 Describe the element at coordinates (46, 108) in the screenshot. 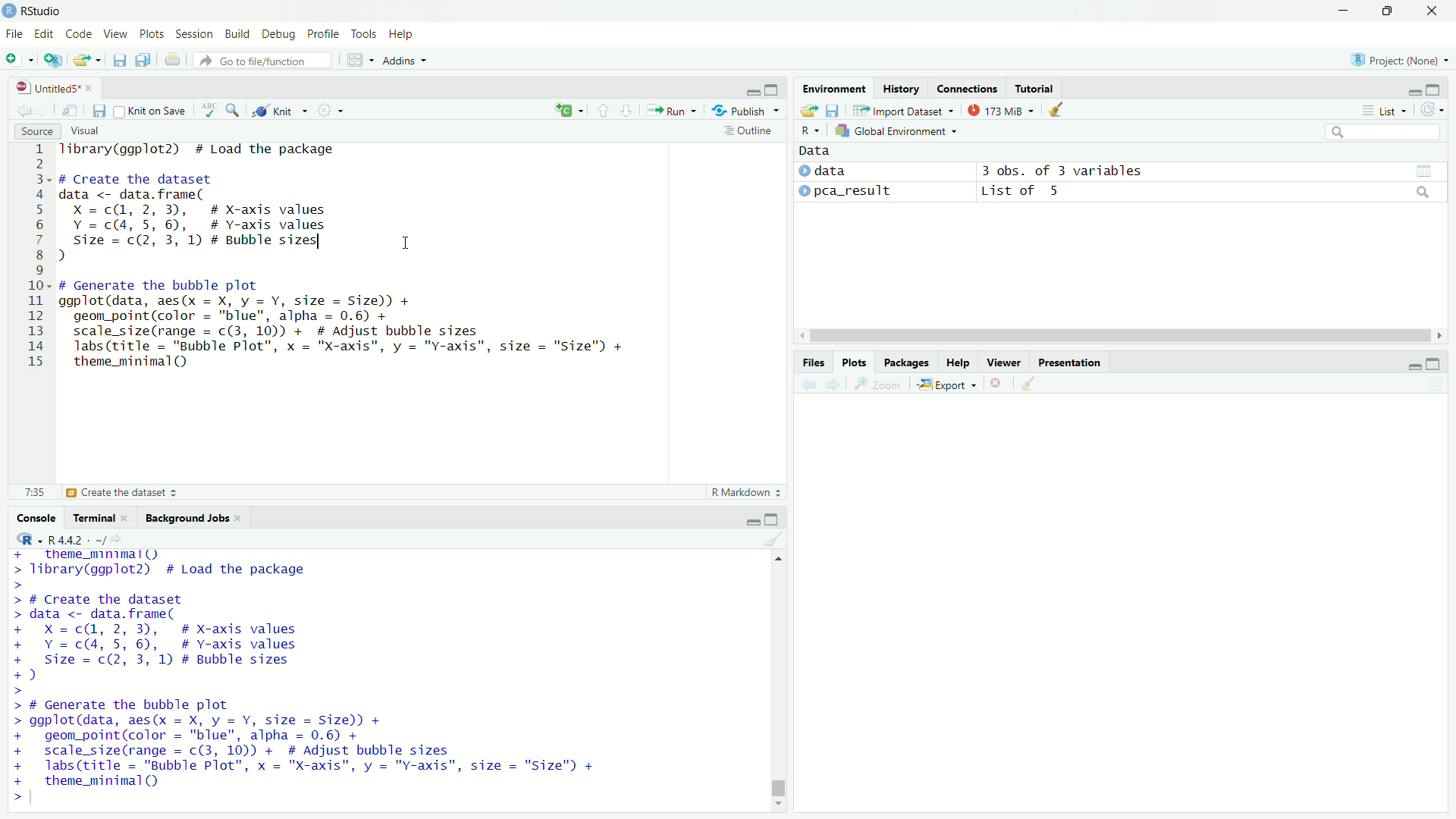

I see `go forward` at that location.